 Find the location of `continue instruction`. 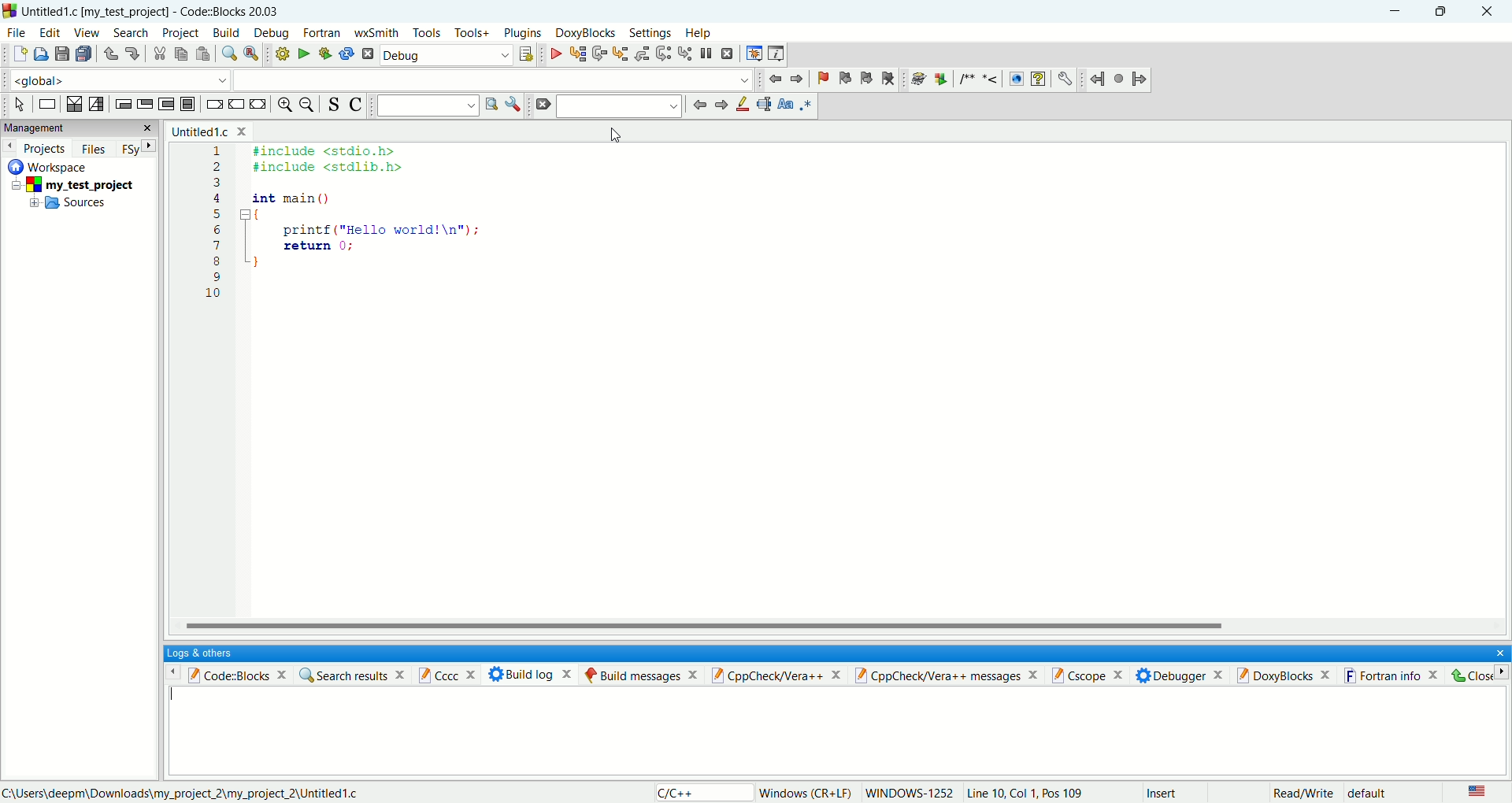

continue instruction is located at coordinates (237, 103).